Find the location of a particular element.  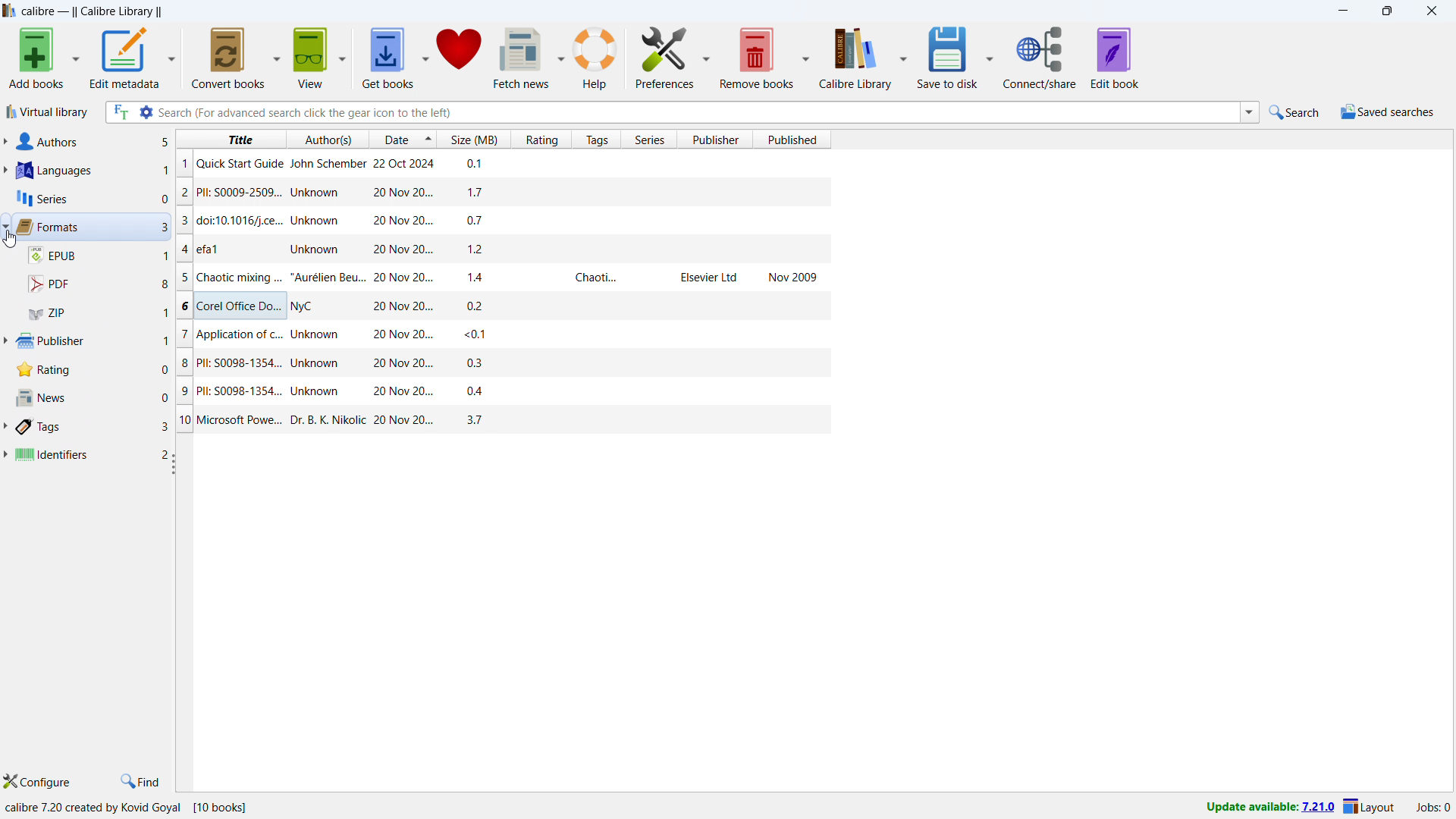

donate to calibre is located at coordinates (459, 56).